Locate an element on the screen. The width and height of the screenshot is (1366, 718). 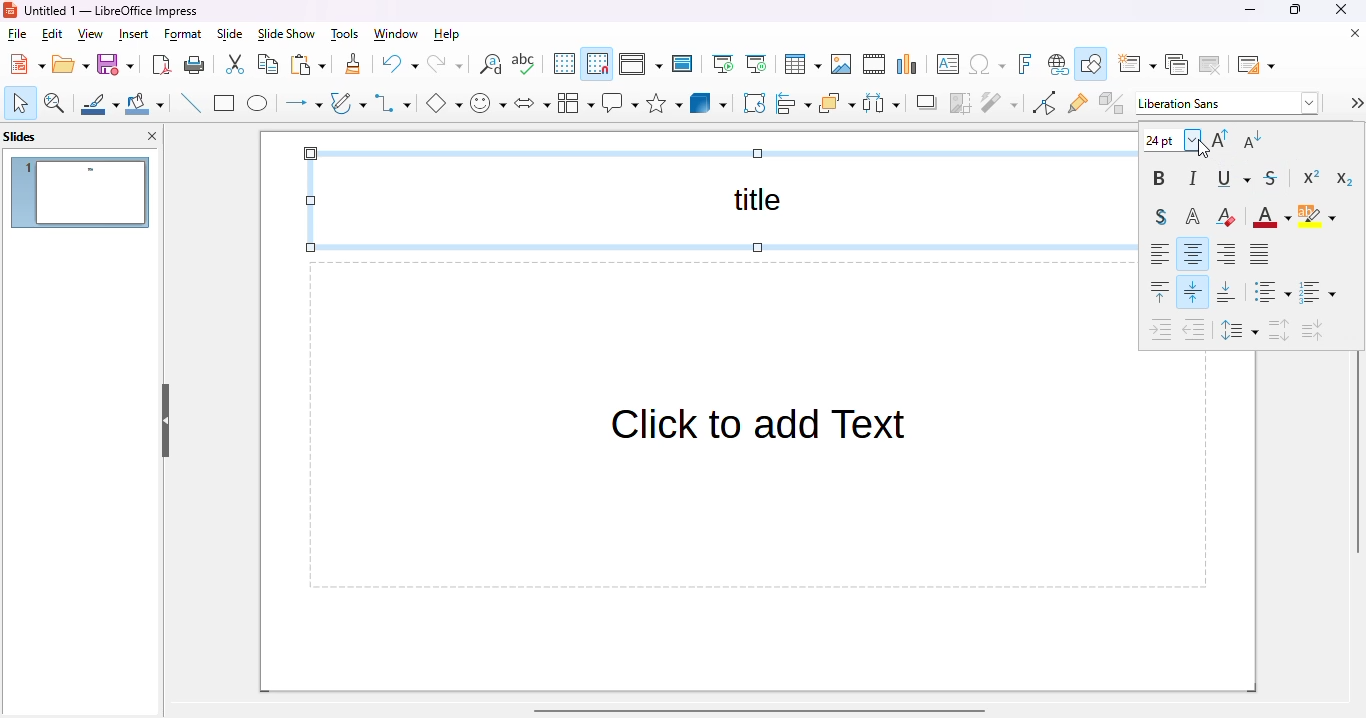
Click to add Text is located at coordinates (712, 476).